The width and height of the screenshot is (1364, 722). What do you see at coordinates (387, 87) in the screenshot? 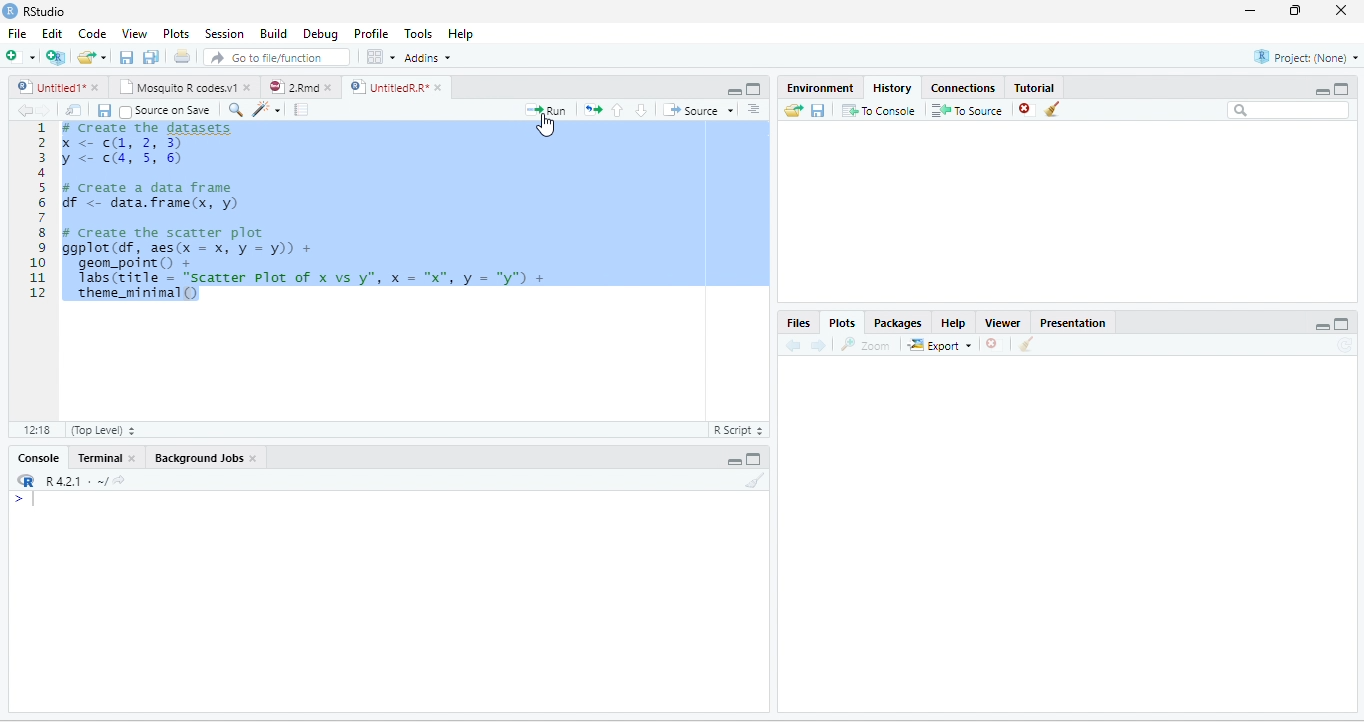
I see `UntitledR.R*` at bounding box center [387, 87].